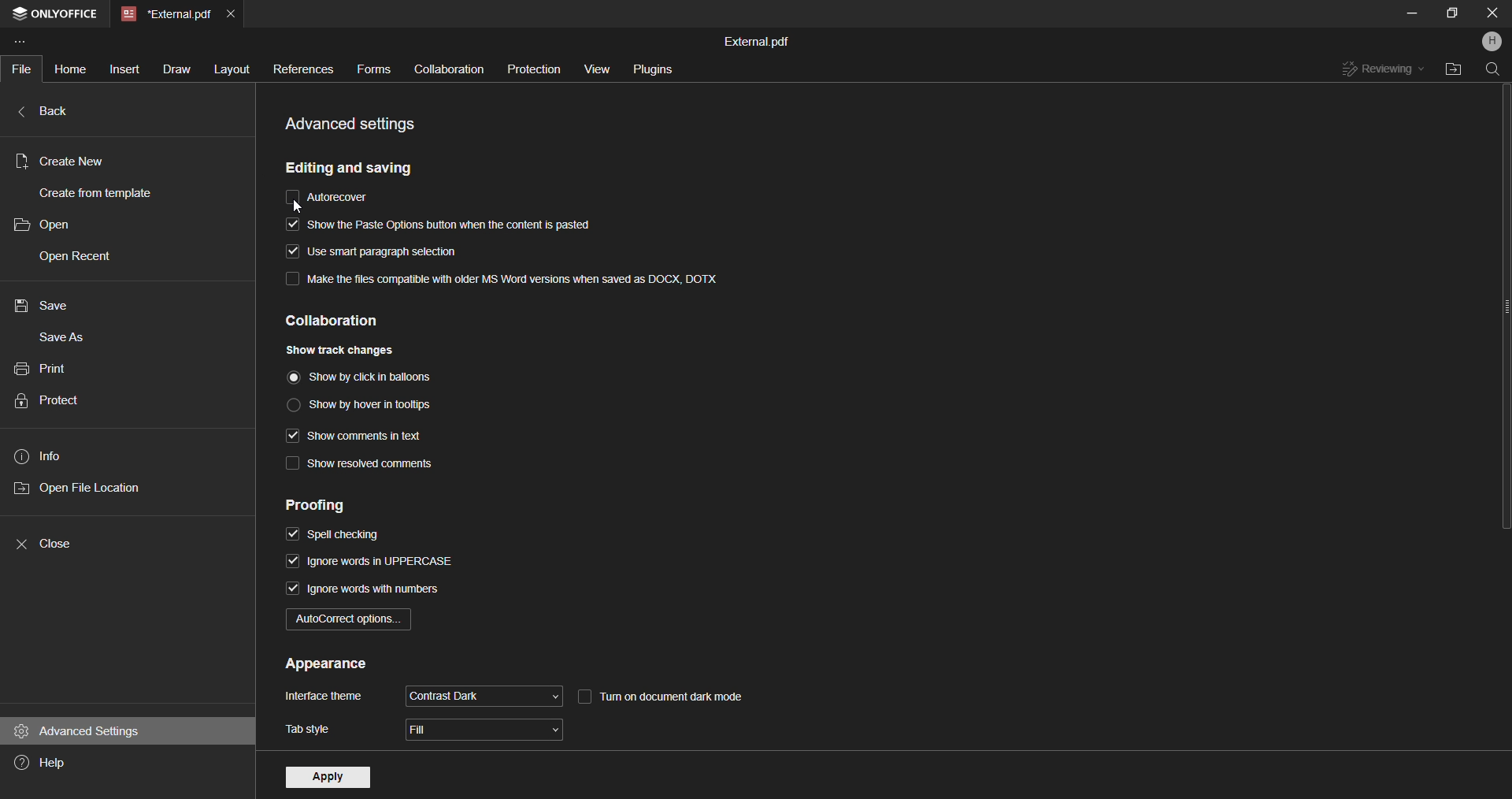  I want to click on advance settings, so click(80, 730).